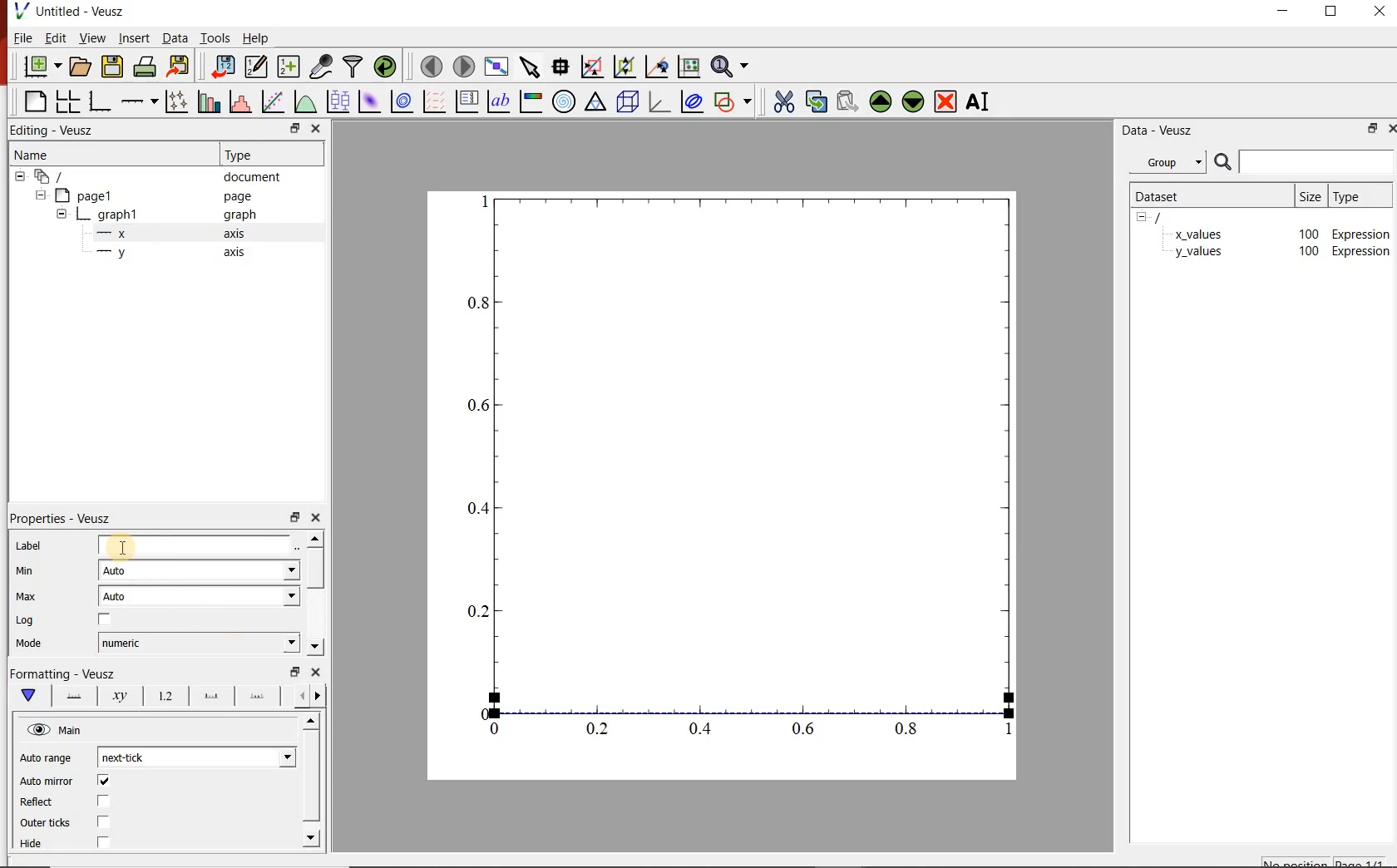 The image size is (1397, 868). Describe the element at coordinates (303, 100) in the screenshot. I see `plot a function` at that location.